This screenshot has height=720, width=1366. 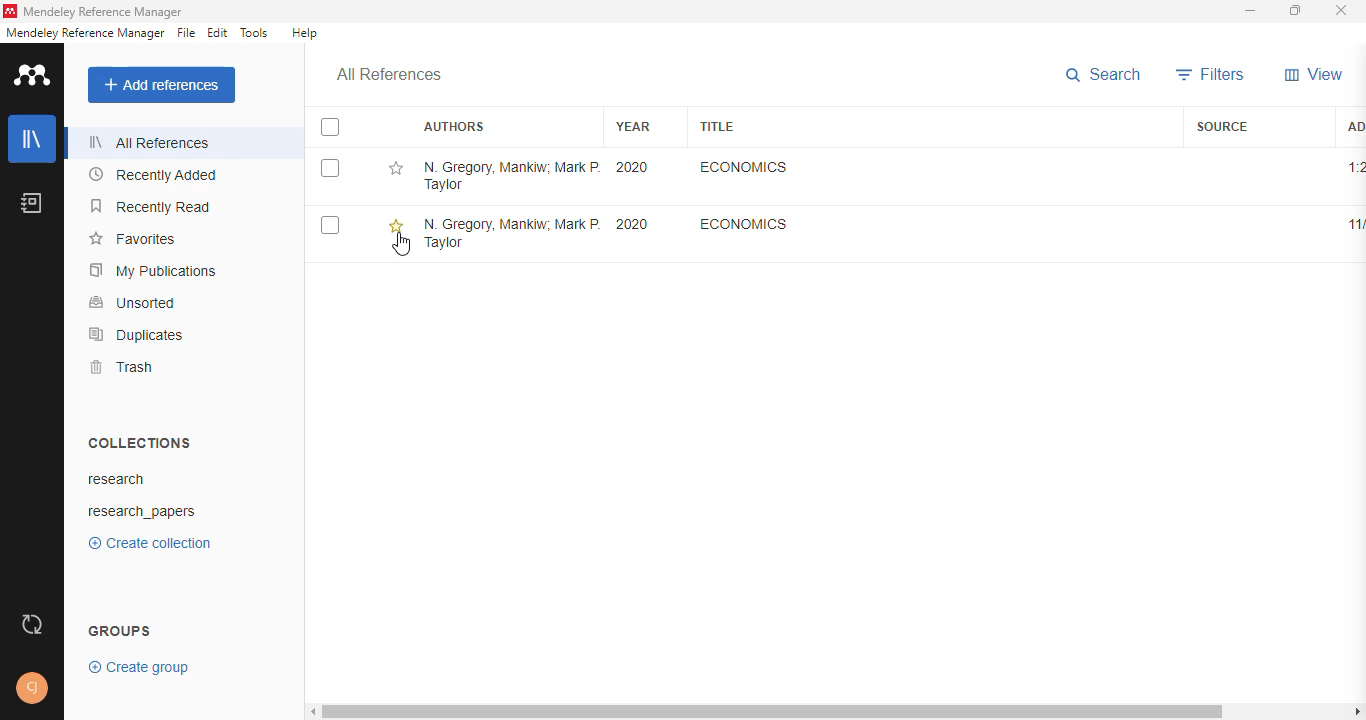 What do you see at coordinates (331, 128) in the screenshot?
I see `select` at bounding box center [331, 128].